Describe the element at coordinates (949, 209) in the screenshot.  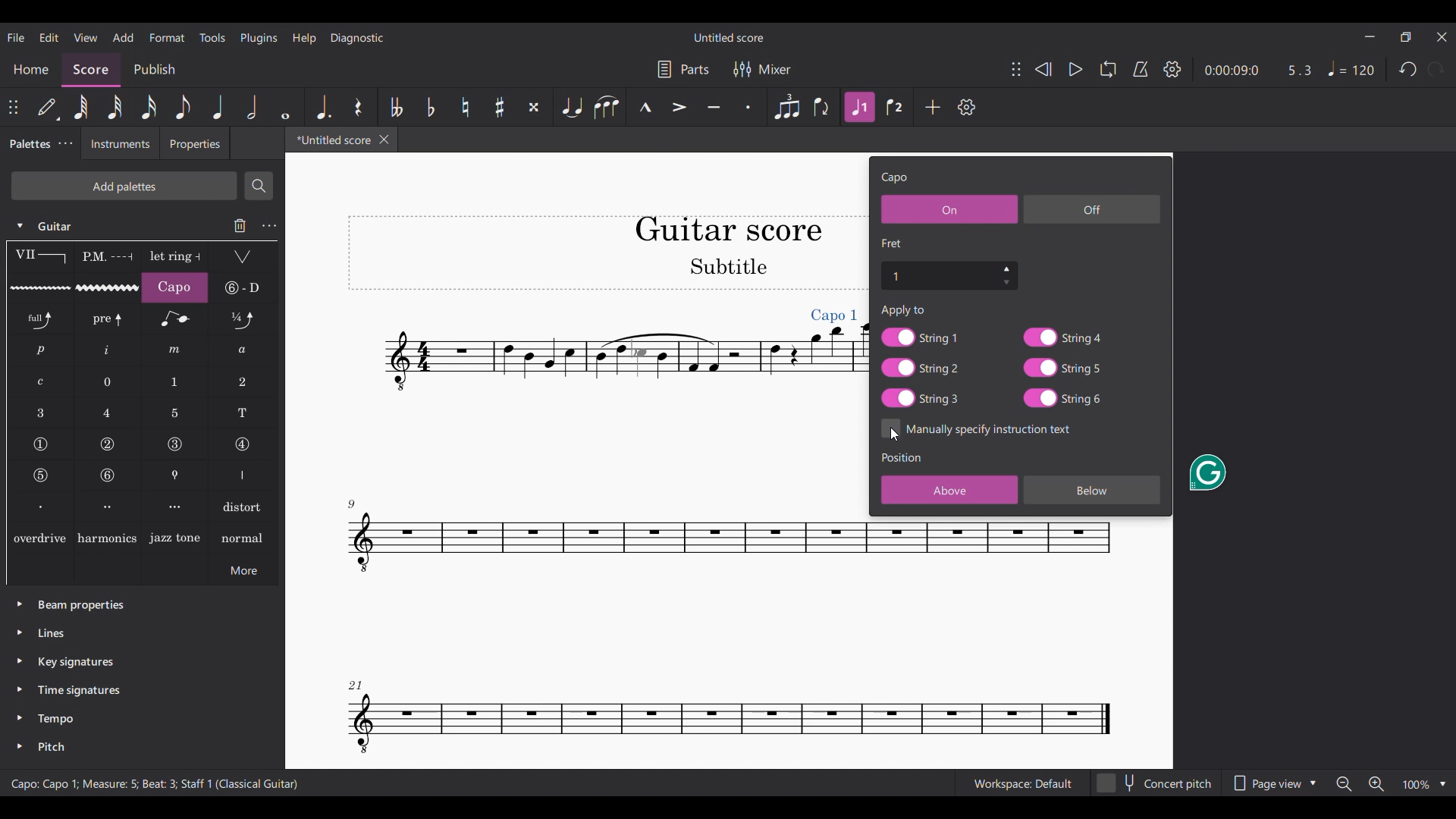
I see `On` at that location.